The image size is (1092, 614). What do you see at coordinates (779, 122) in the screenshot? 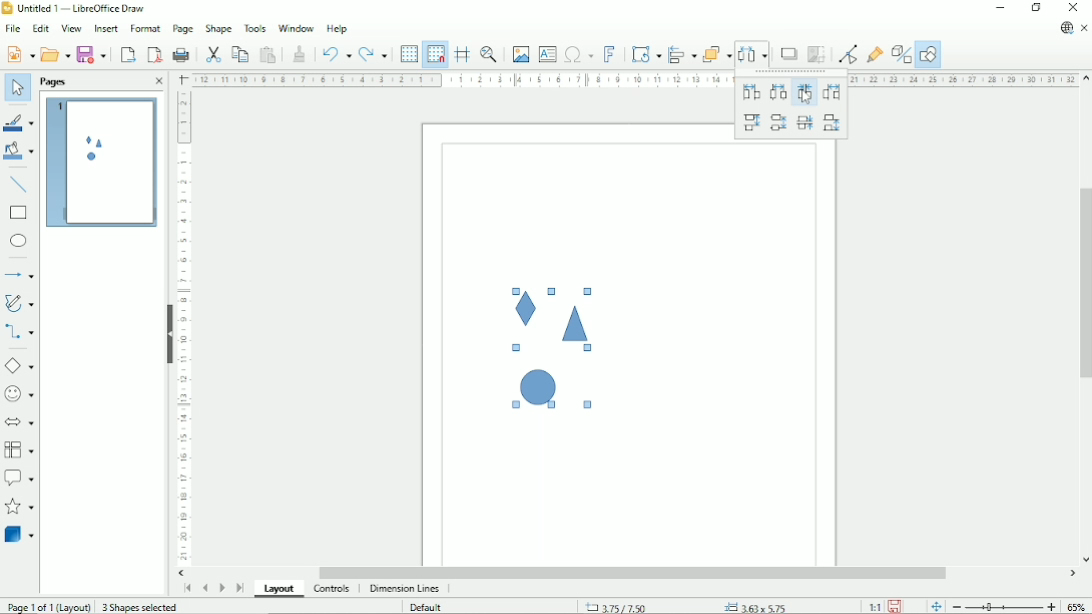
I see `Vertically center` at bounding box center [779, 122].